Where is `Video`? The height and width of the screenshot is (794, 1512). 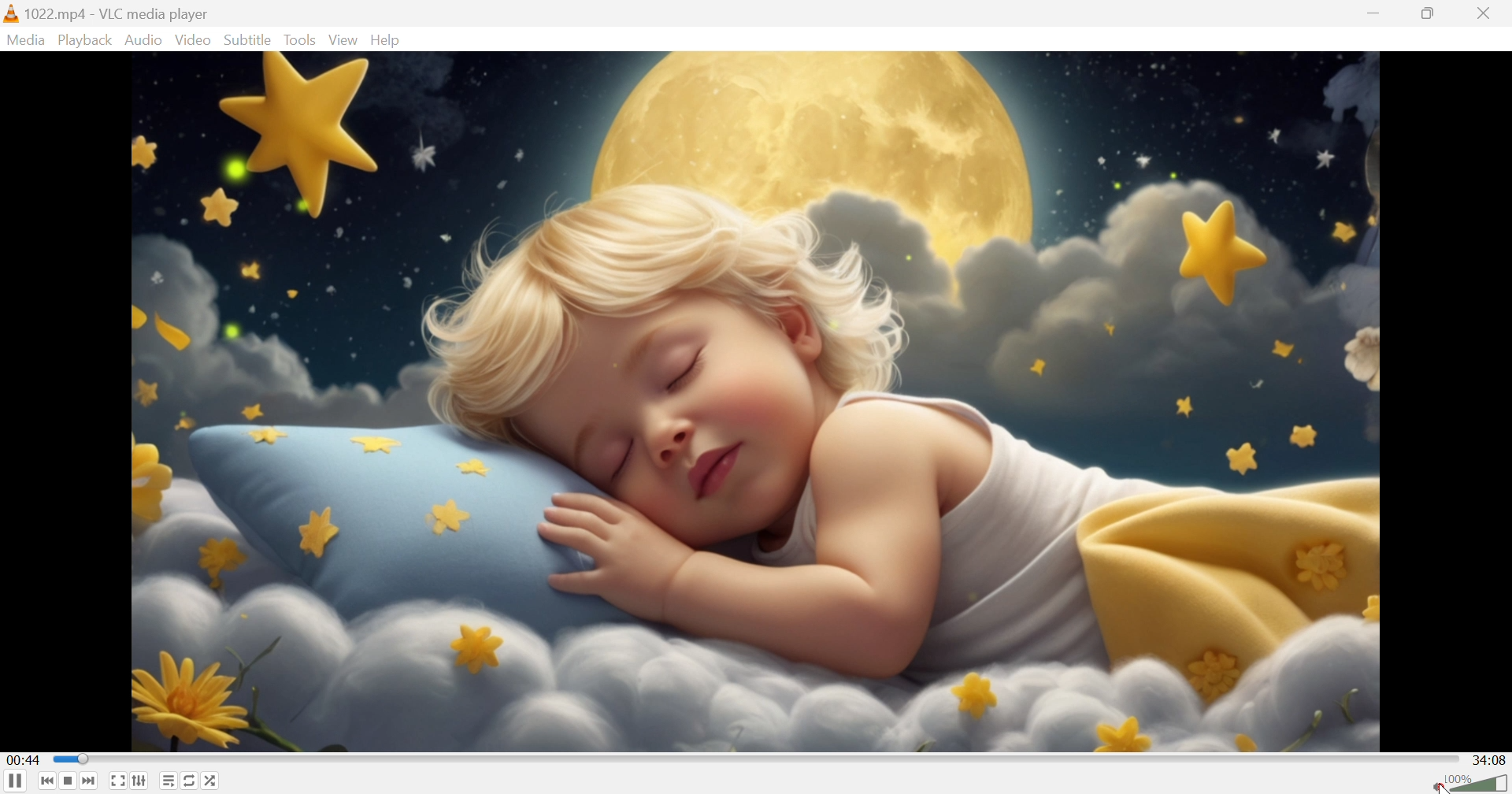 Video is located at coordinates (193, 39).